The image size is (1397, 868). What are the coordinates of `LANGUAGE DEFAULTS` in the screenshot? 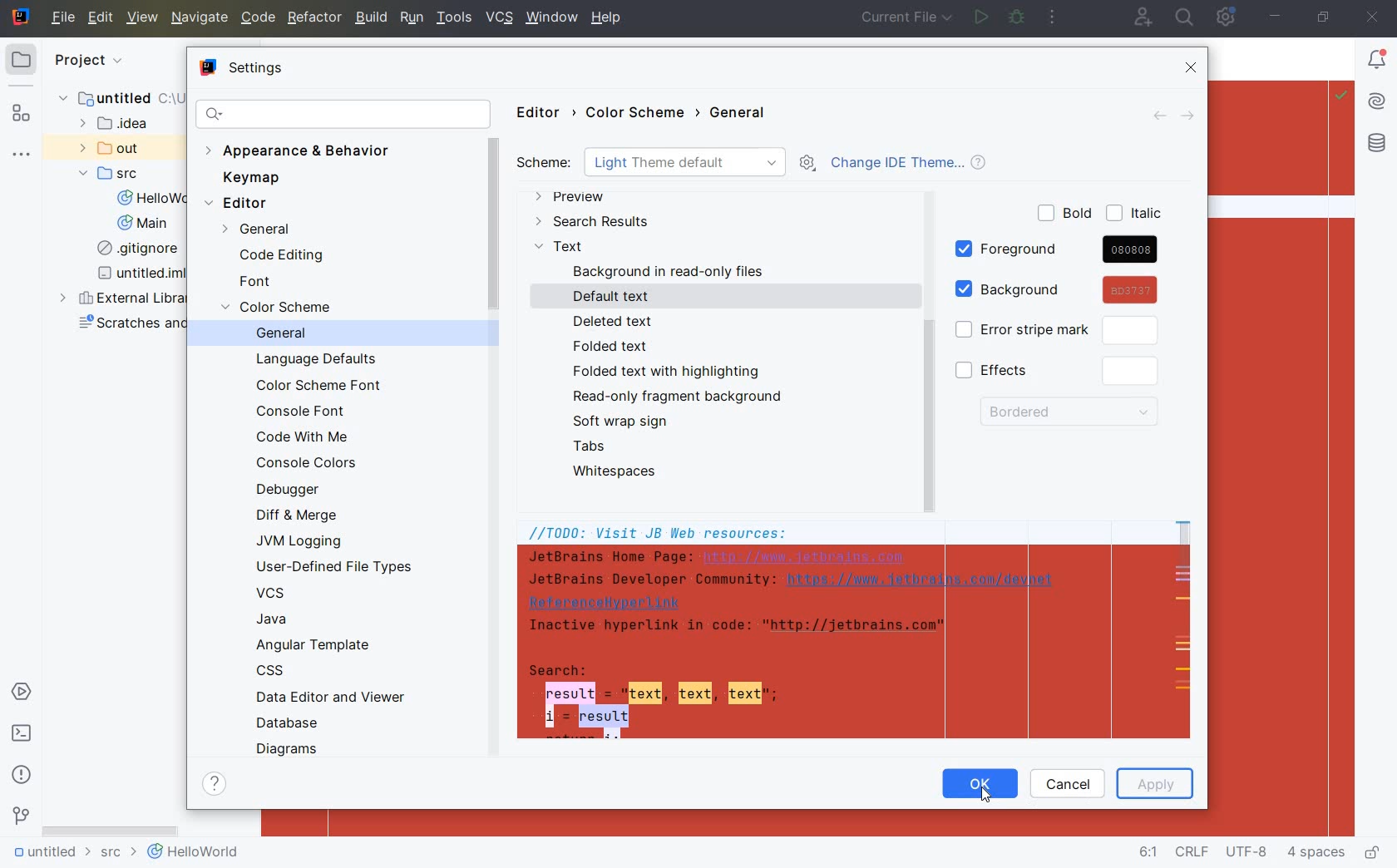 It's located at (316, 361).